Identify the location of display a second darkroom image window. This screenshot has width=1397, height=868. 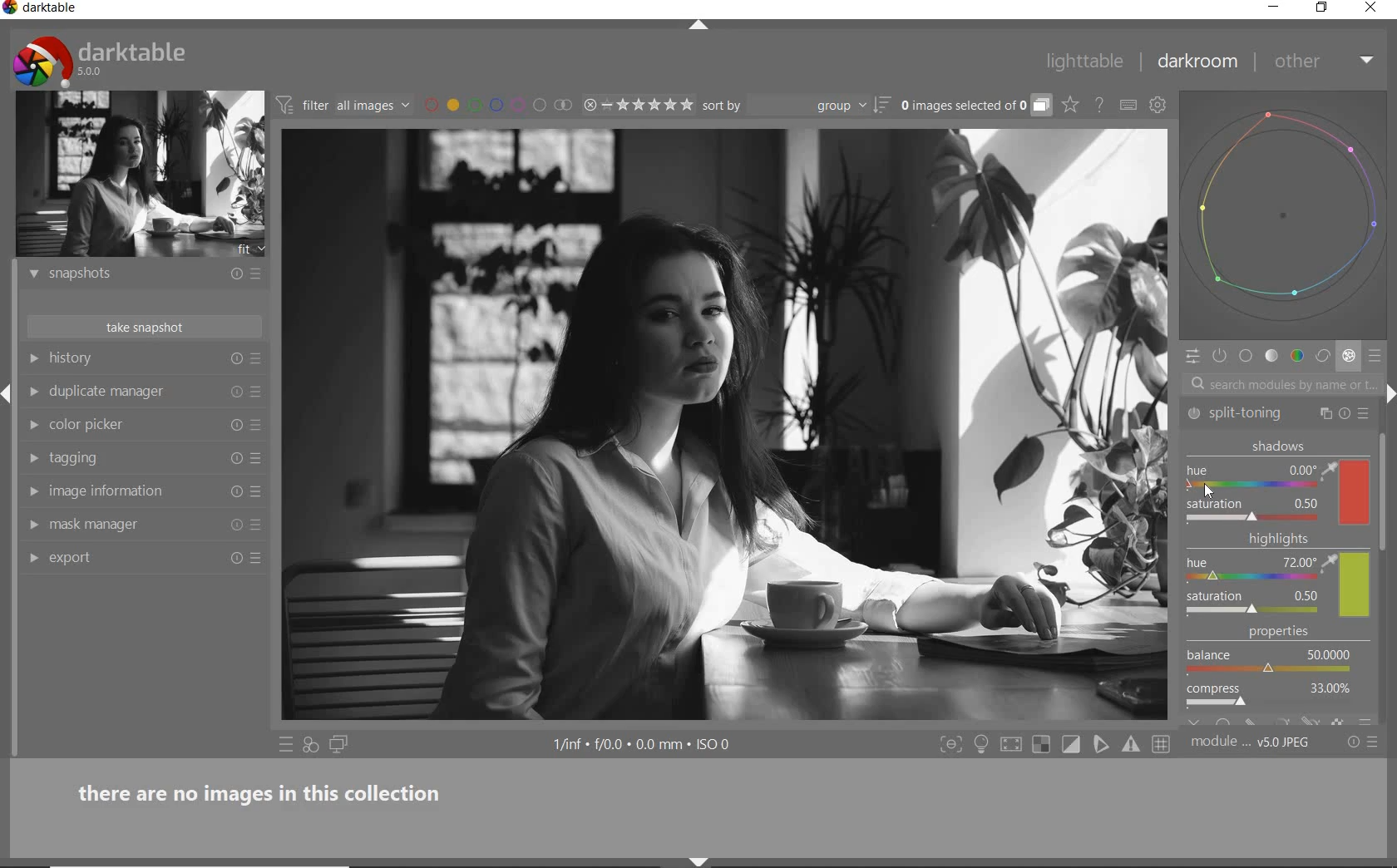
(339, 745).